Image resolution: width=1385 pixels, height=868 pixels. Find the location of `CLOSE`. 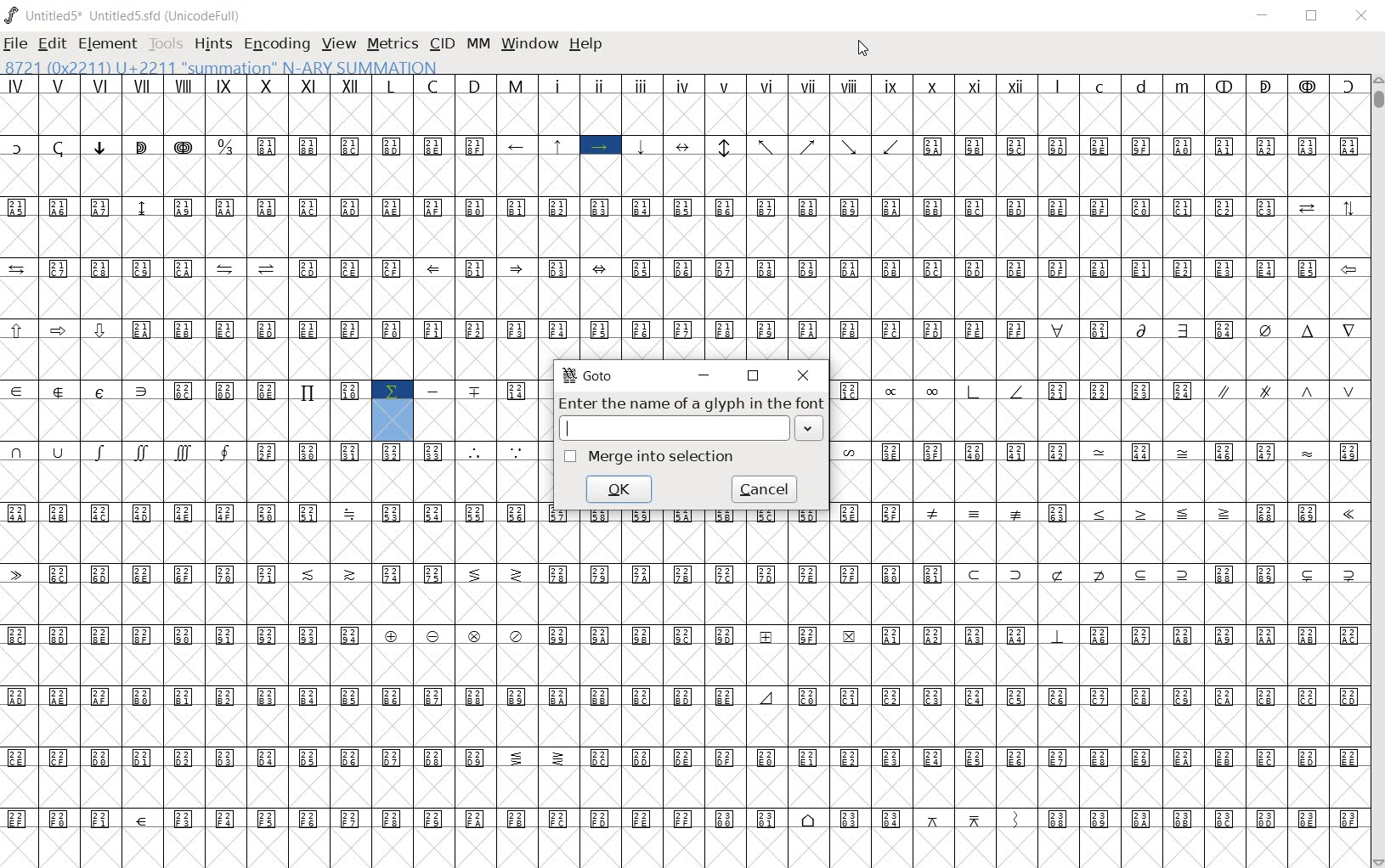

CLOSE is located at coordinates (1361, 18).